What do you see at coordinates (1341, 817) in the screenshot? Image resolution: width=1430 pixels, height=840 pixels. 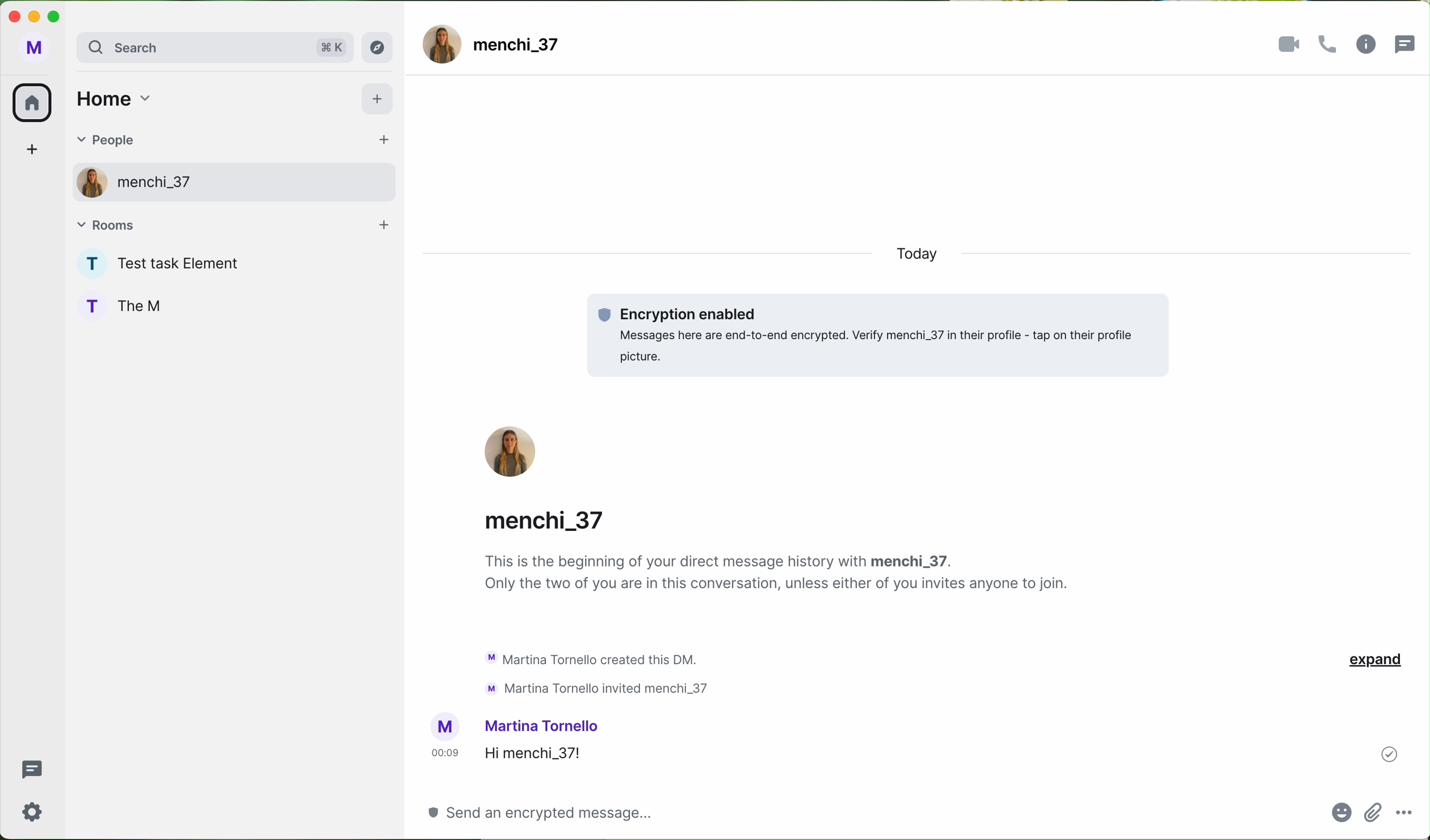 I see `emoji` at bounding box center [1341, 817].